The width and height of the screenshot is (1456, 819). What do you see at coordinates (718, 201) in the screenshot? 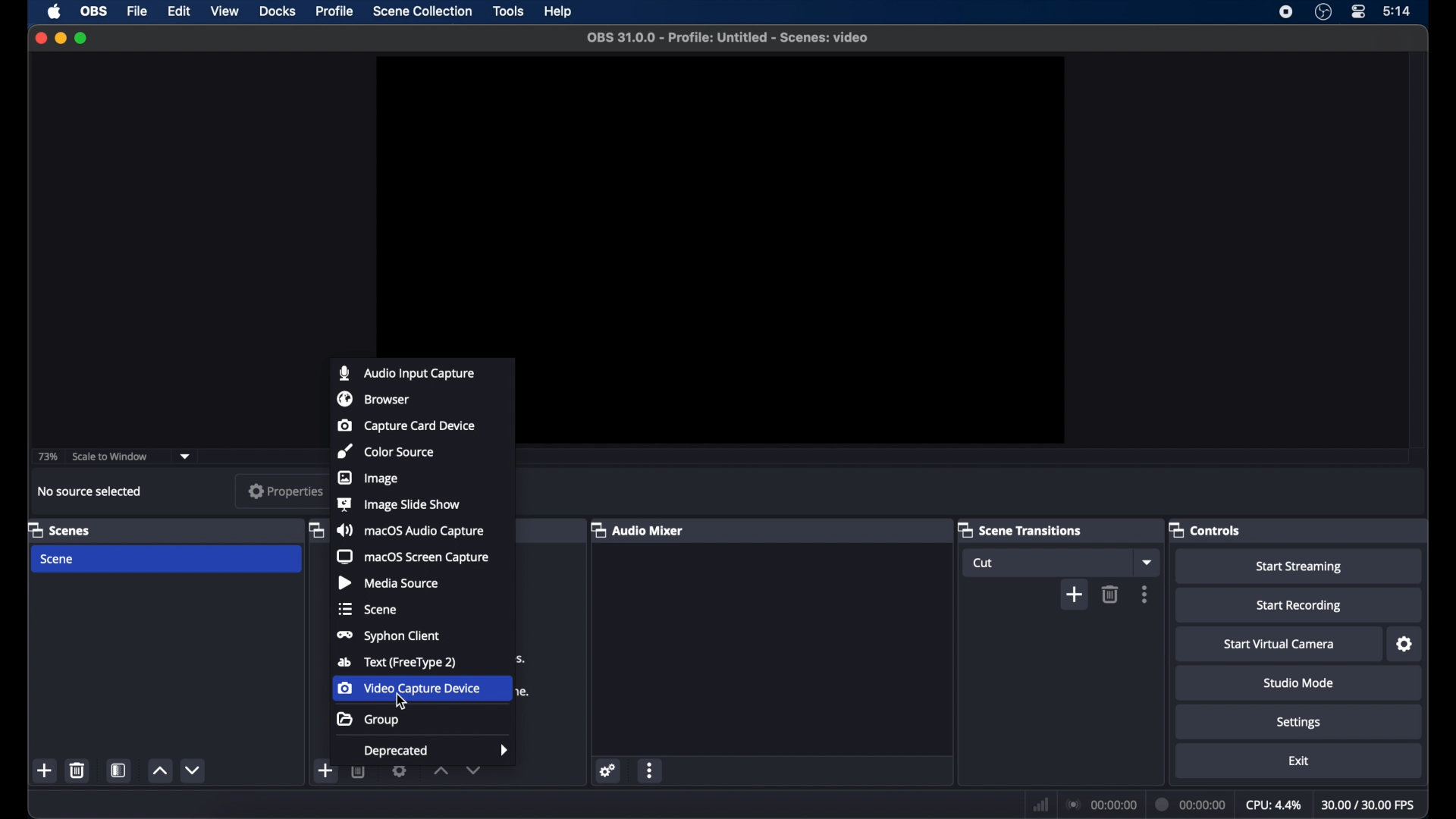
I see `preview` at bounding box center [718, 201].